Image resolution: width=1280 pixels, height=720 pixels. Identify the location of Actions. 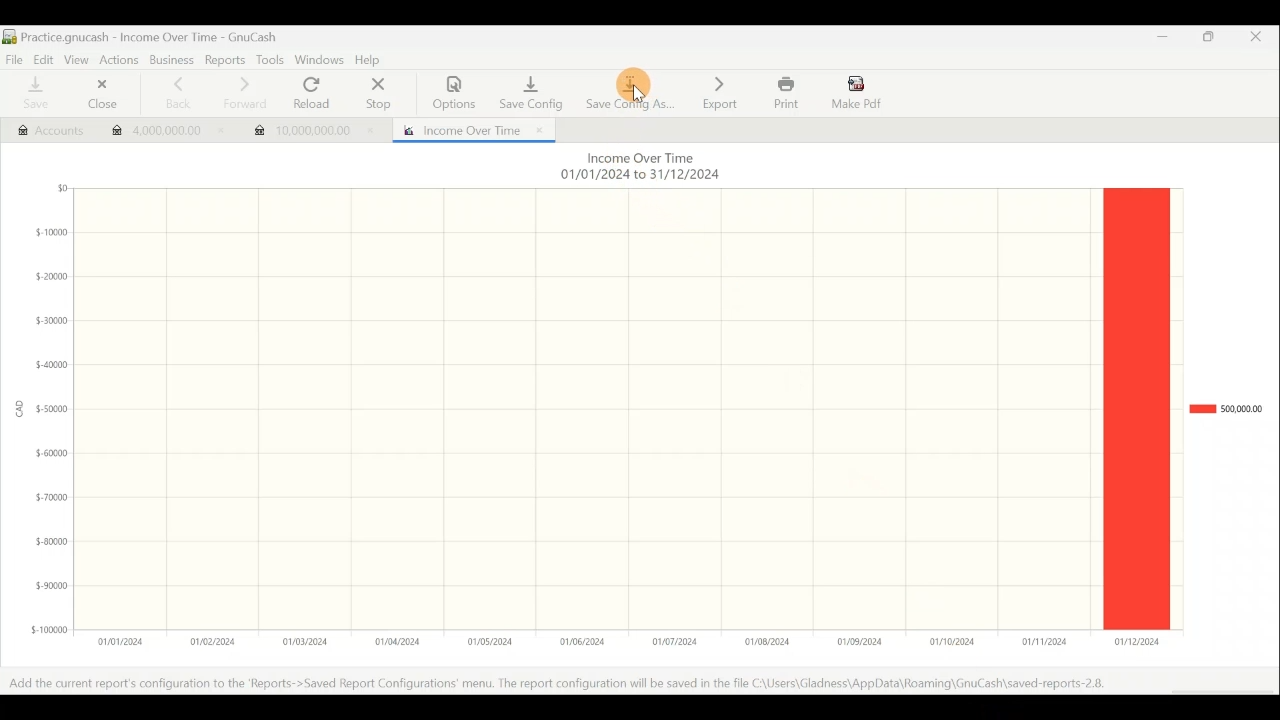
(119, 59).